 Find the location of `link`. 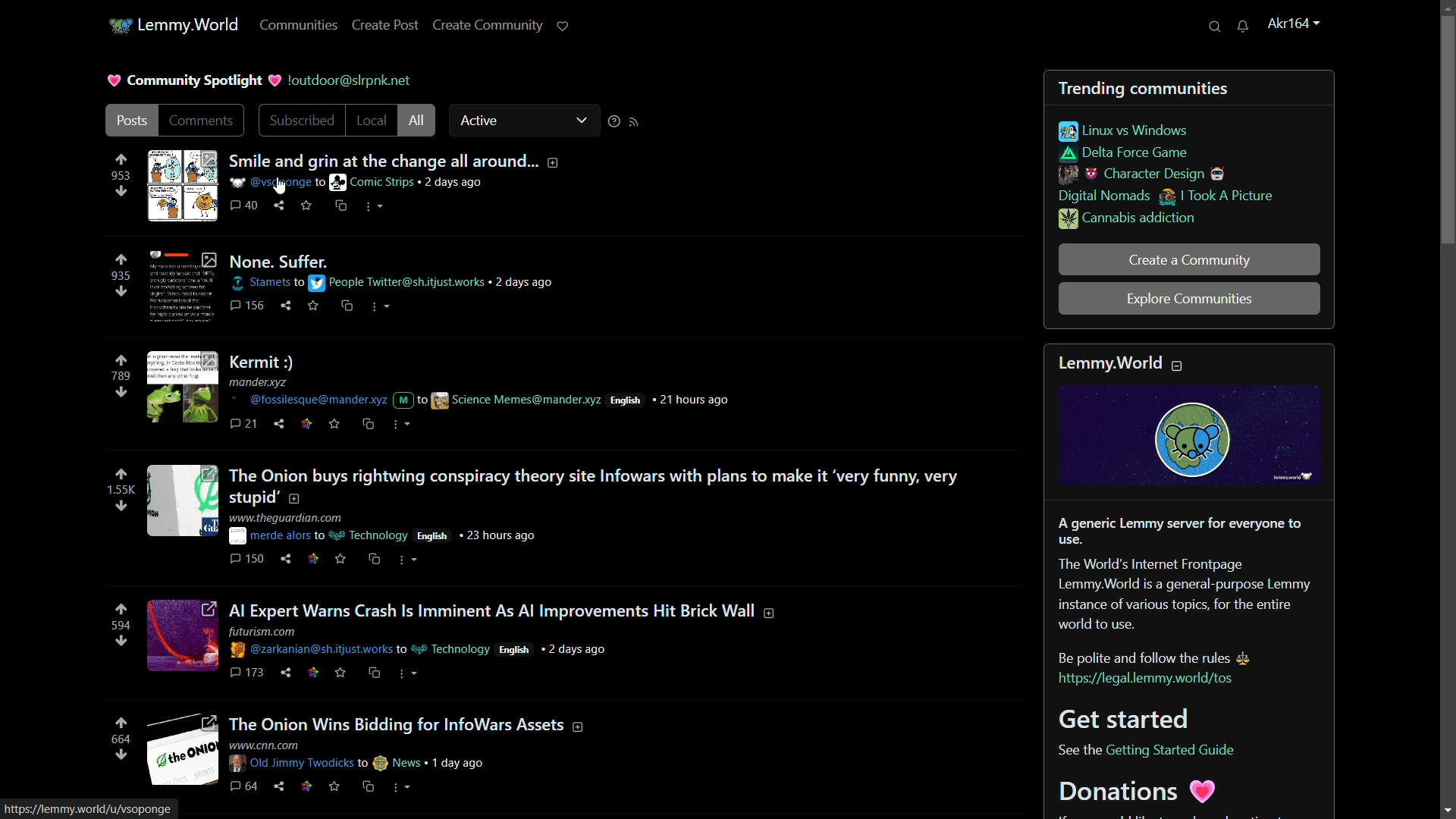

link is located at coordinates (317, 673).